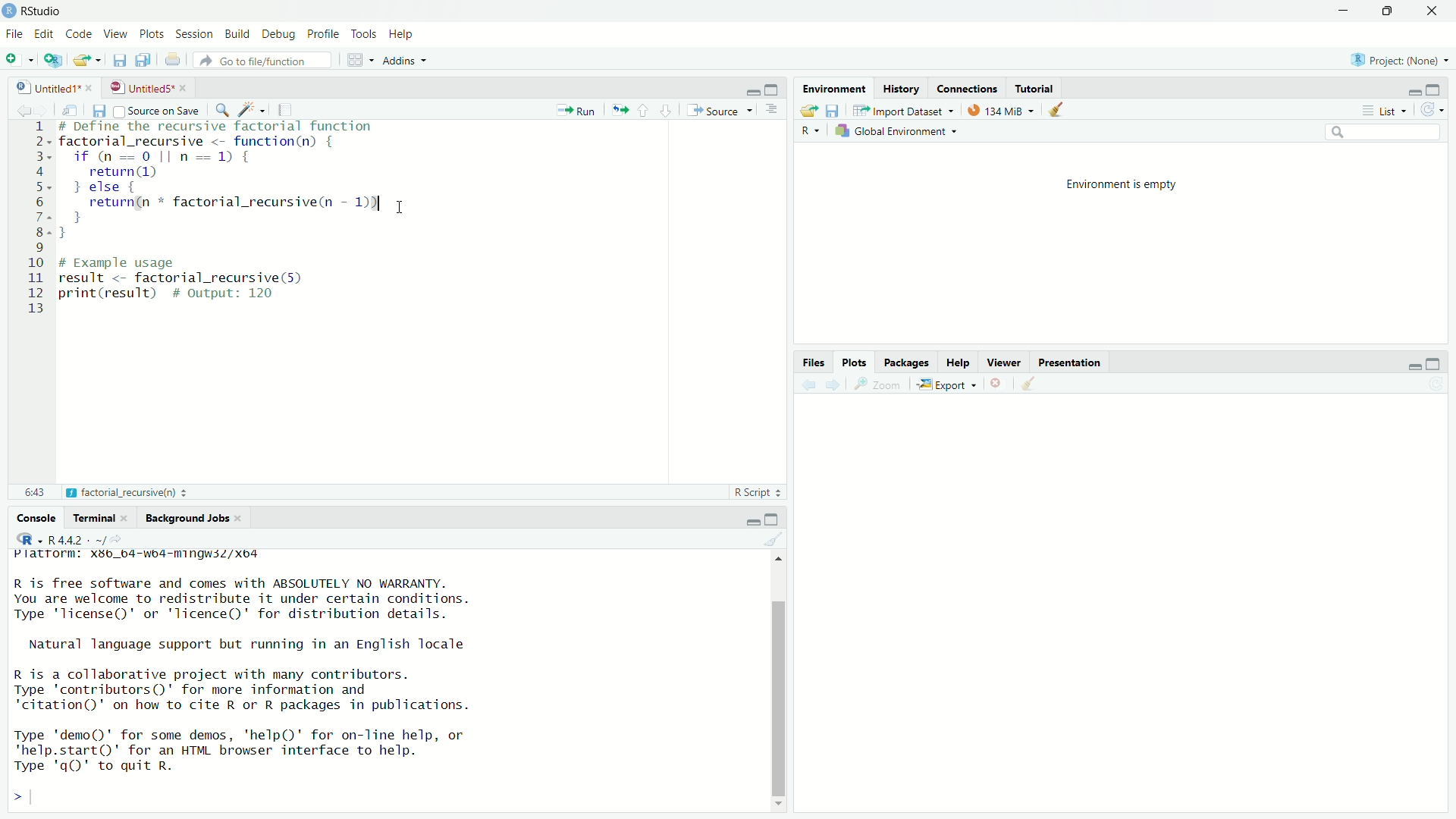 The height and width of the screenshot is (819, 1456). What do you see at coordinates (1119, 183) in the screenshot?
I see `Environment is empty` at bounding box center [1119, 183].